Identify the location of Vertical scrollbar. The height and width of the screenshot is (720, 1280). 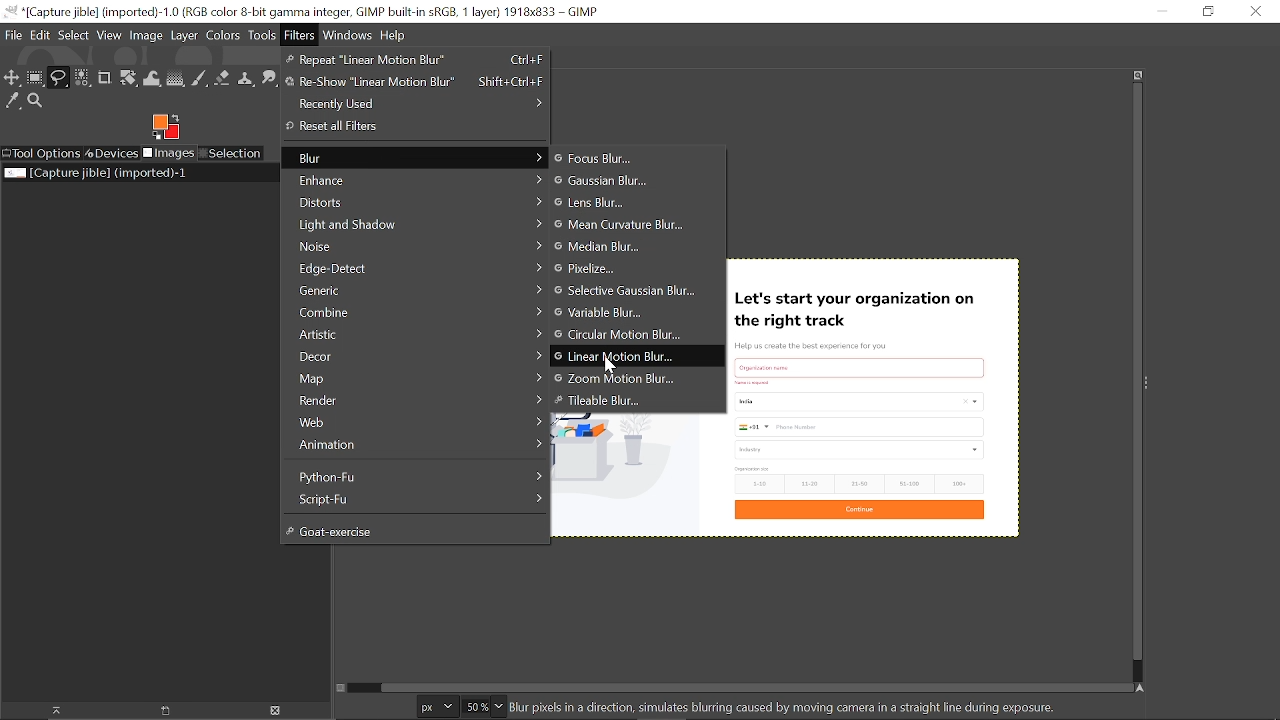
(1134, 374).